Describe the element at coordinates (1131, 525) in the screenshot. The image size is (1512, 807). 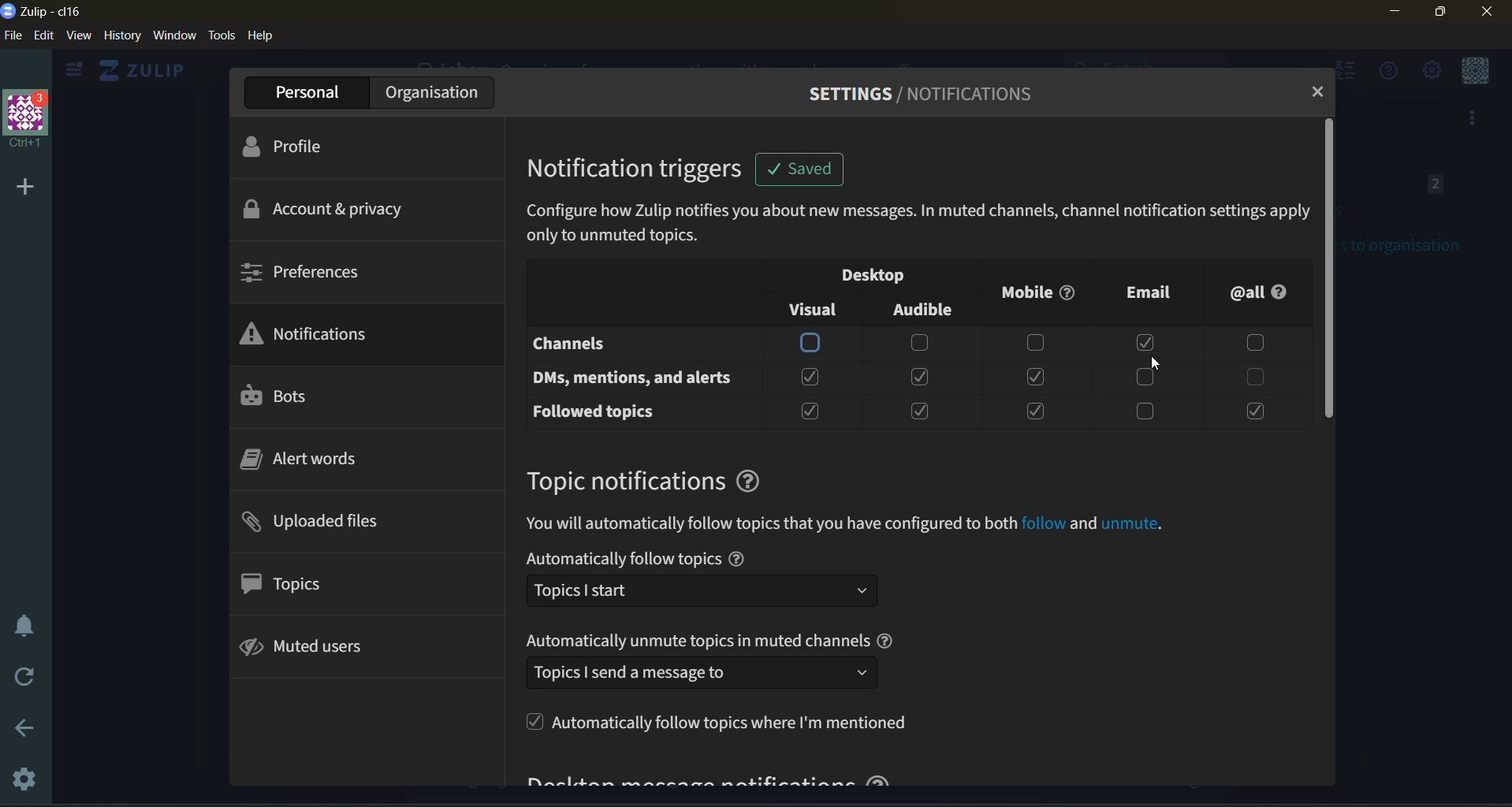
I see `unmute` at that location.